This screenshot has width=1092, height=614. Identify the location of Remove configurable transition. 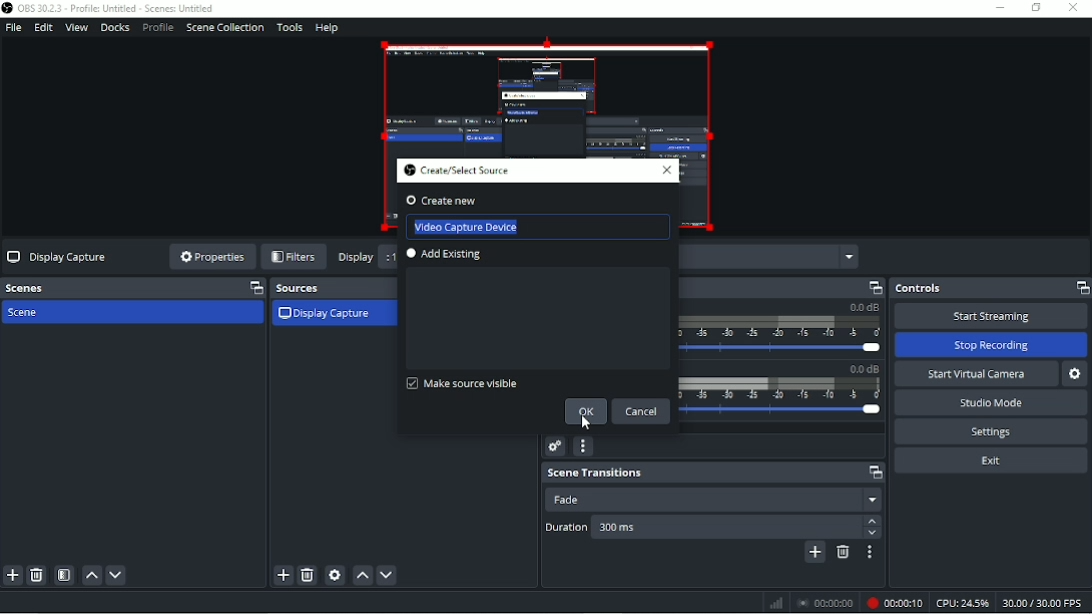
(842, 552).